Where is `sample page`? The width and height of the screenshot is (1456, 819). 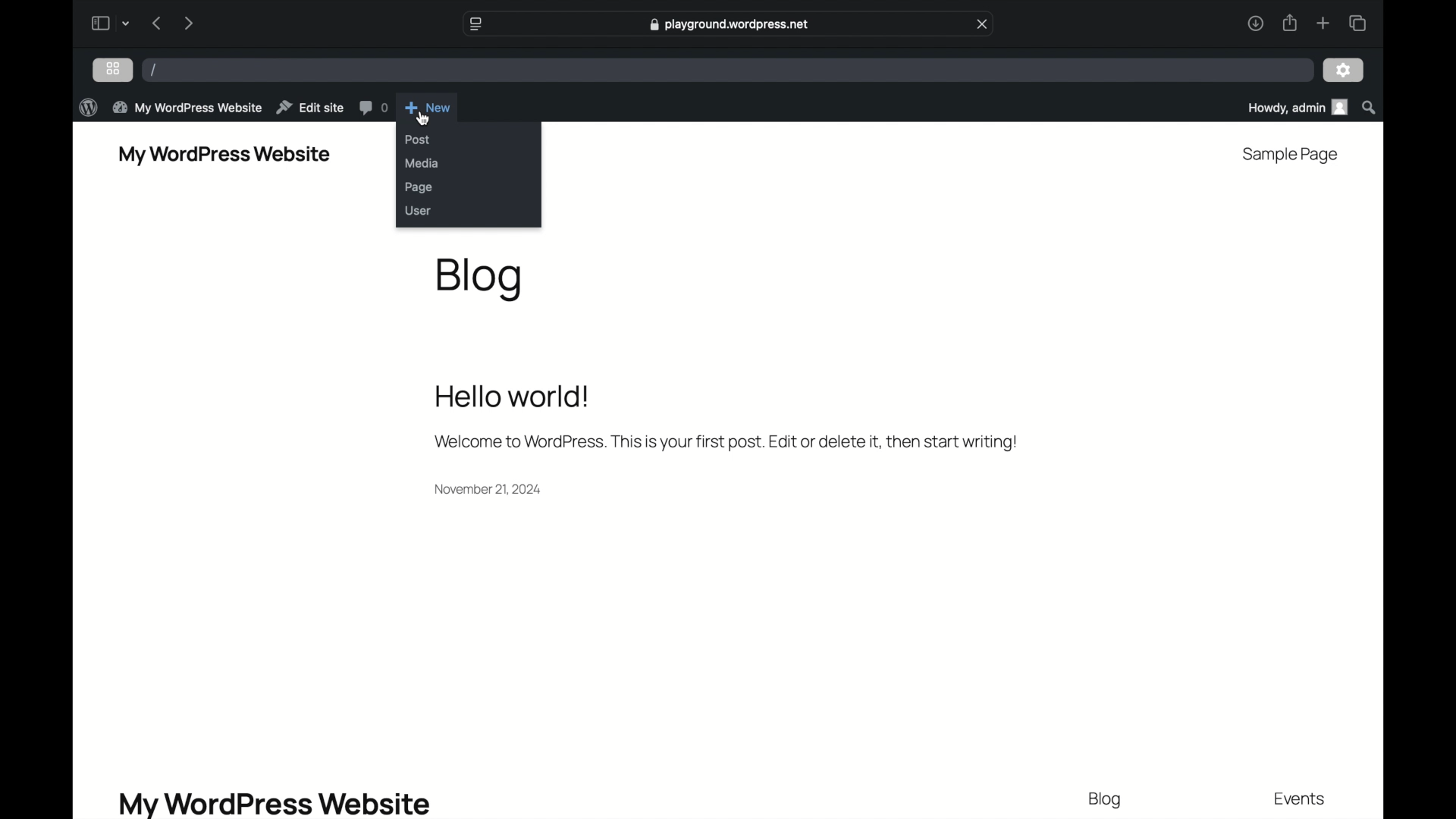 sample page is located at coordinates (1291, 155).